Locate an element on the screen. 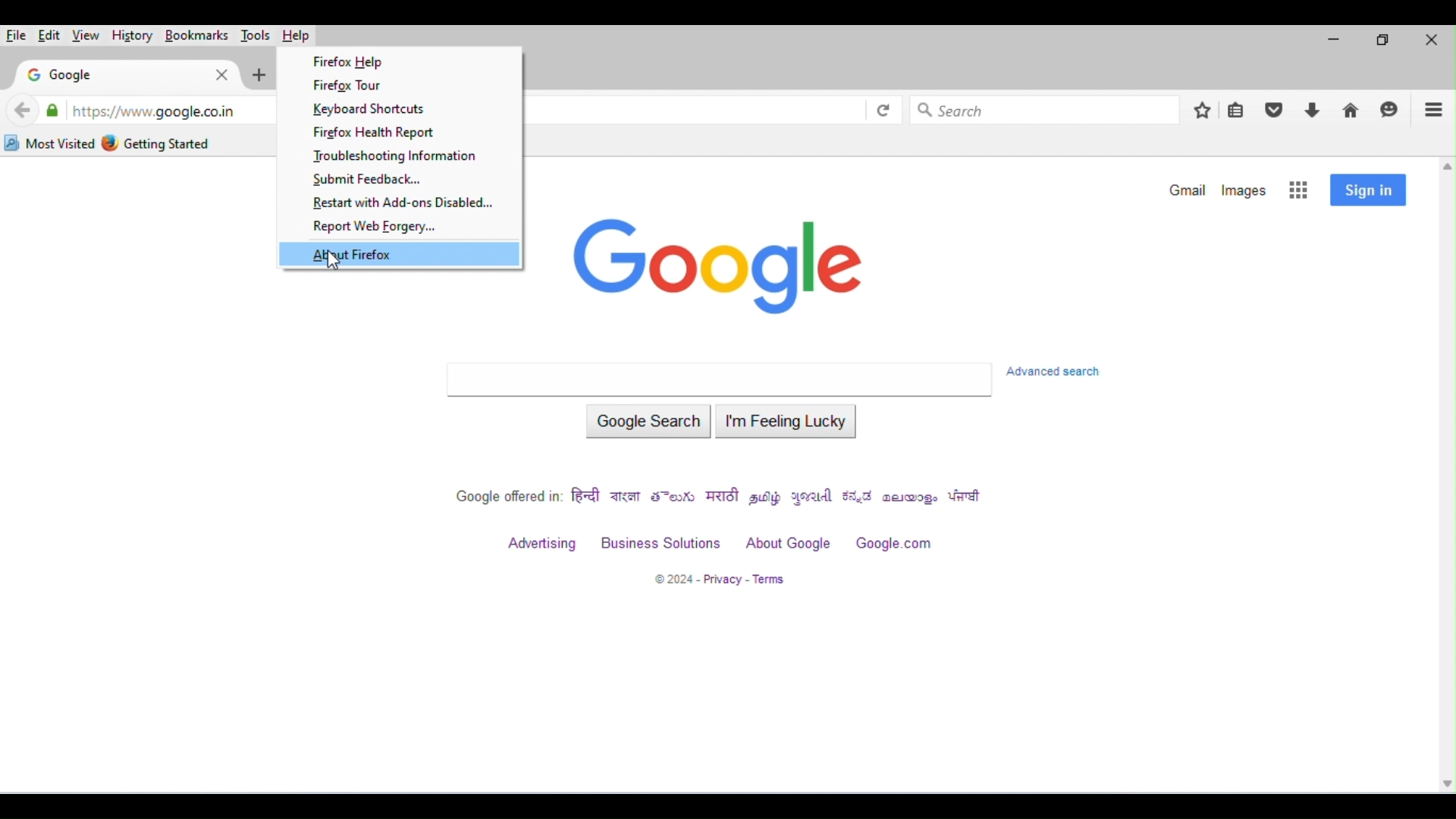 The image size is (1456, 819). add new tab is located at coordinates (261, 75).